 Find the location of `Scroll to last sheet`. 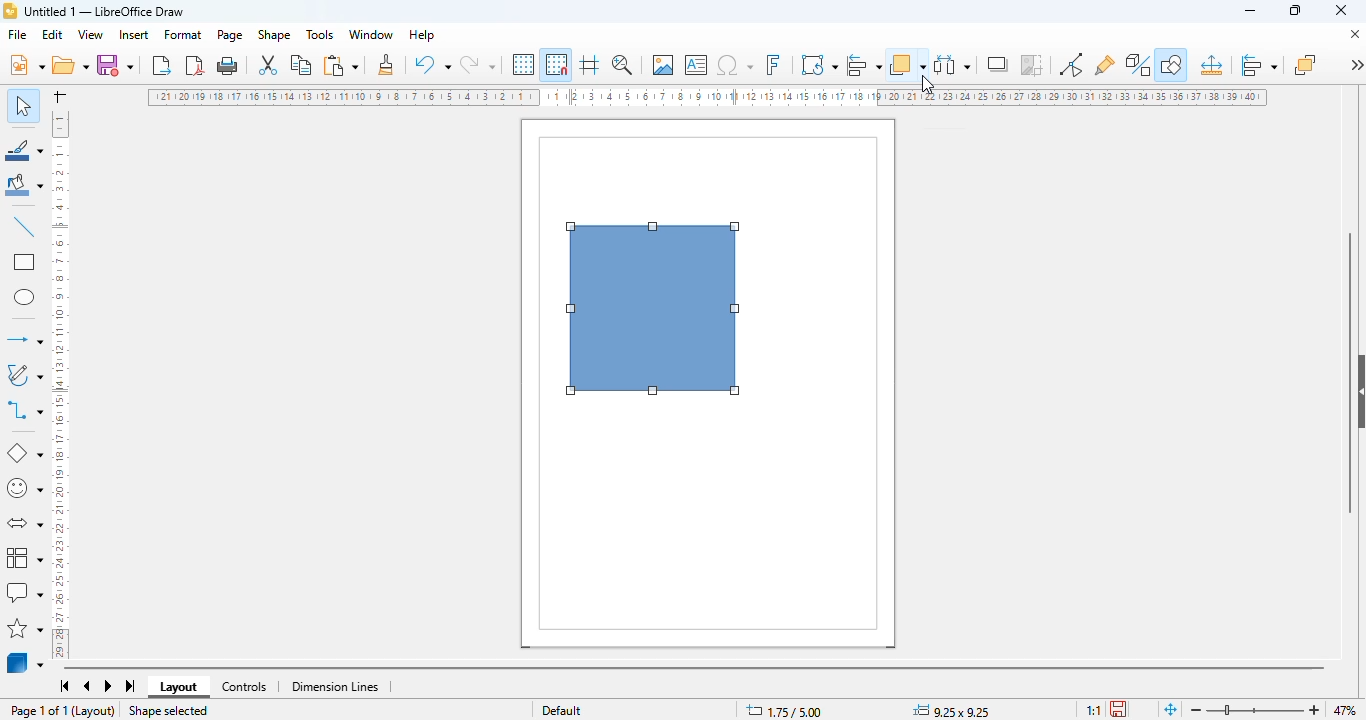

Scroll to last sheet is located at coordinates (132, 686).